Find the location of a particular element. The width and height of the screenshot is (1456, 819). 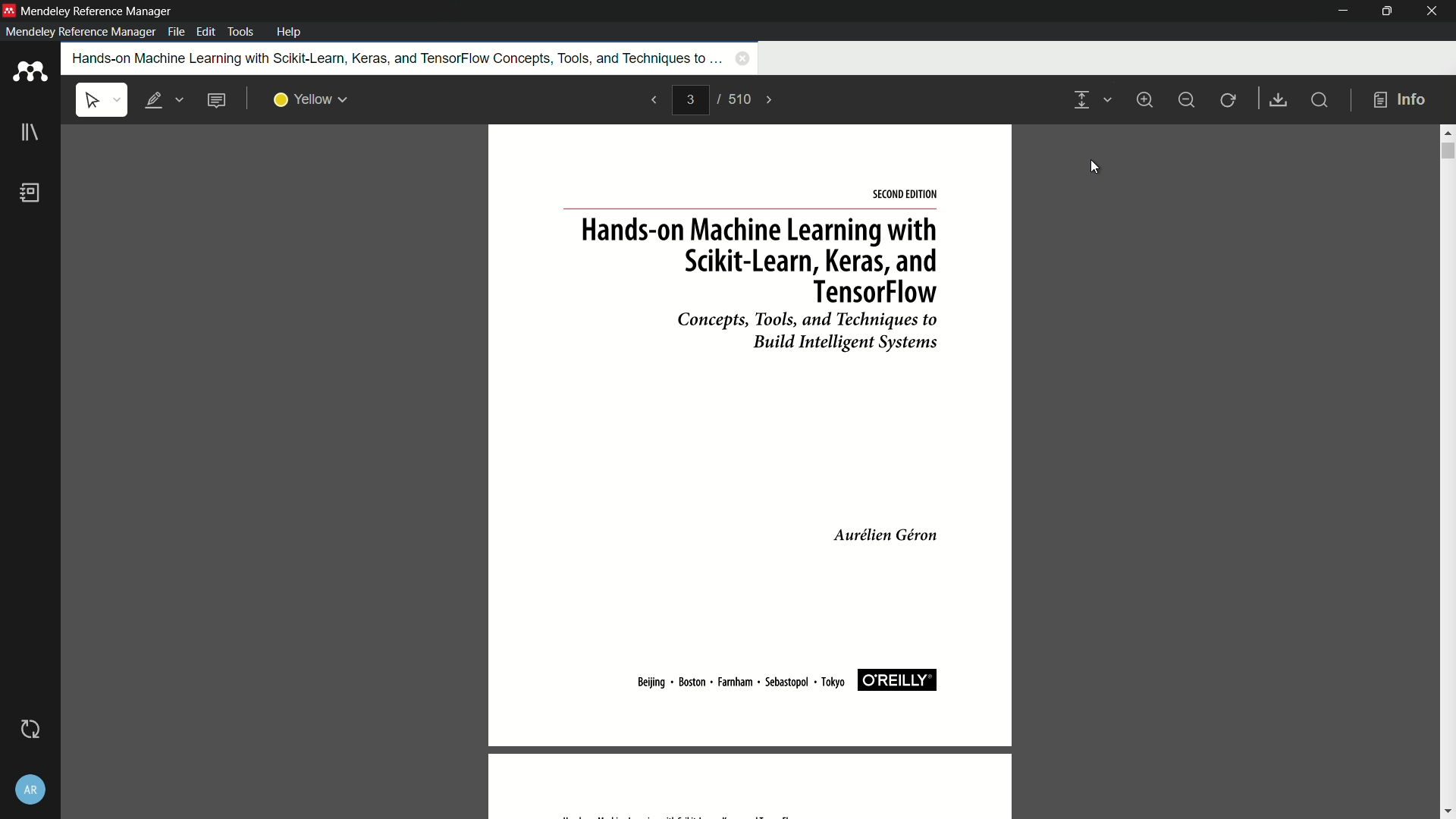

help menu is located at coordinates (290, 31).